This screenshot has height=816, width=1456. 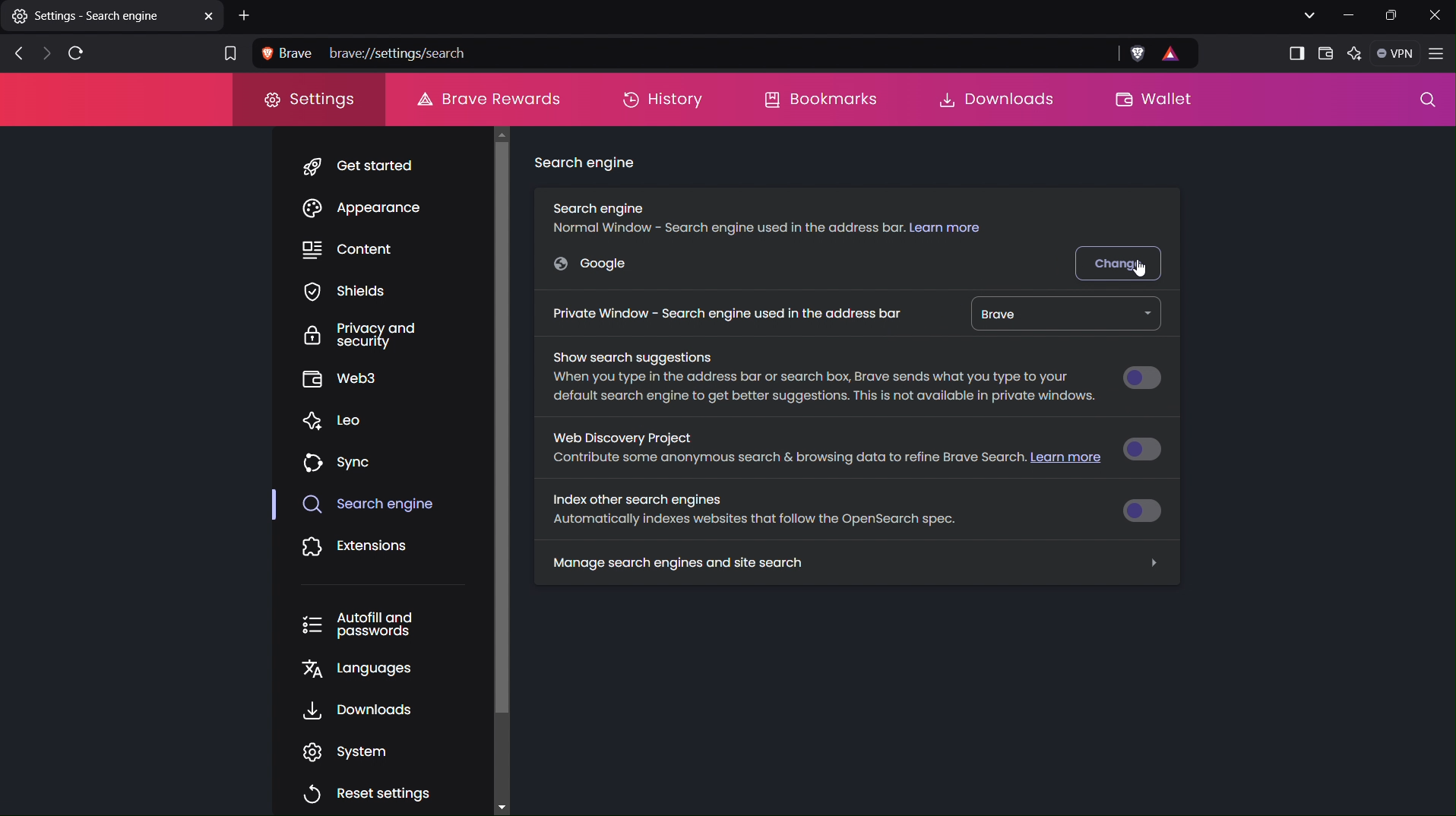 What do you see at coordinates (1435, 15) in the screenshot?
I see `Close` at bounding box center [1435, 15].